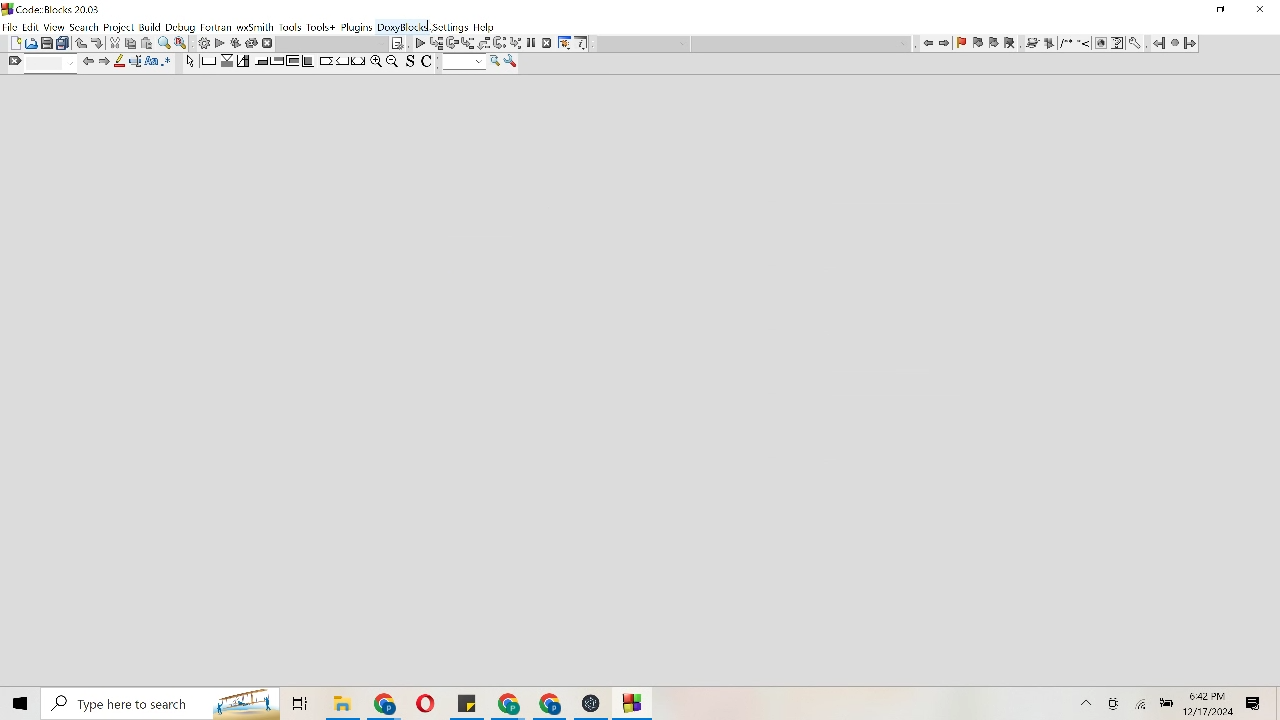 This screenshot has height=720, width=1280. What do you see at coordinates (356, 27) in the screenshot?
I see `Plugins` at bounding box center [356, 27].